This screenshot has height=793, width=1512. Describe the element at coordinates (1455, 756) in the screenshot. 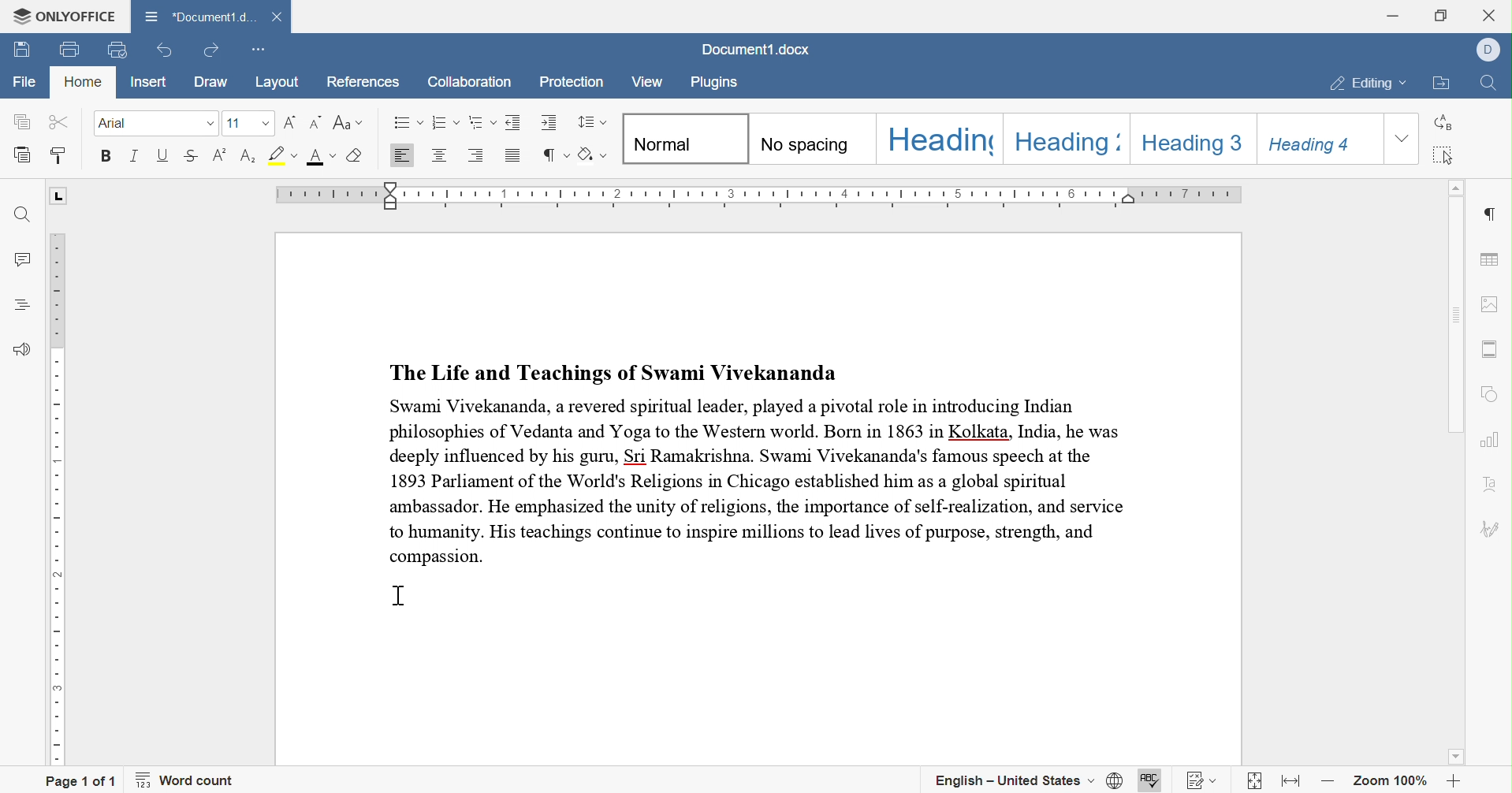

I see `scroll down` at that location.